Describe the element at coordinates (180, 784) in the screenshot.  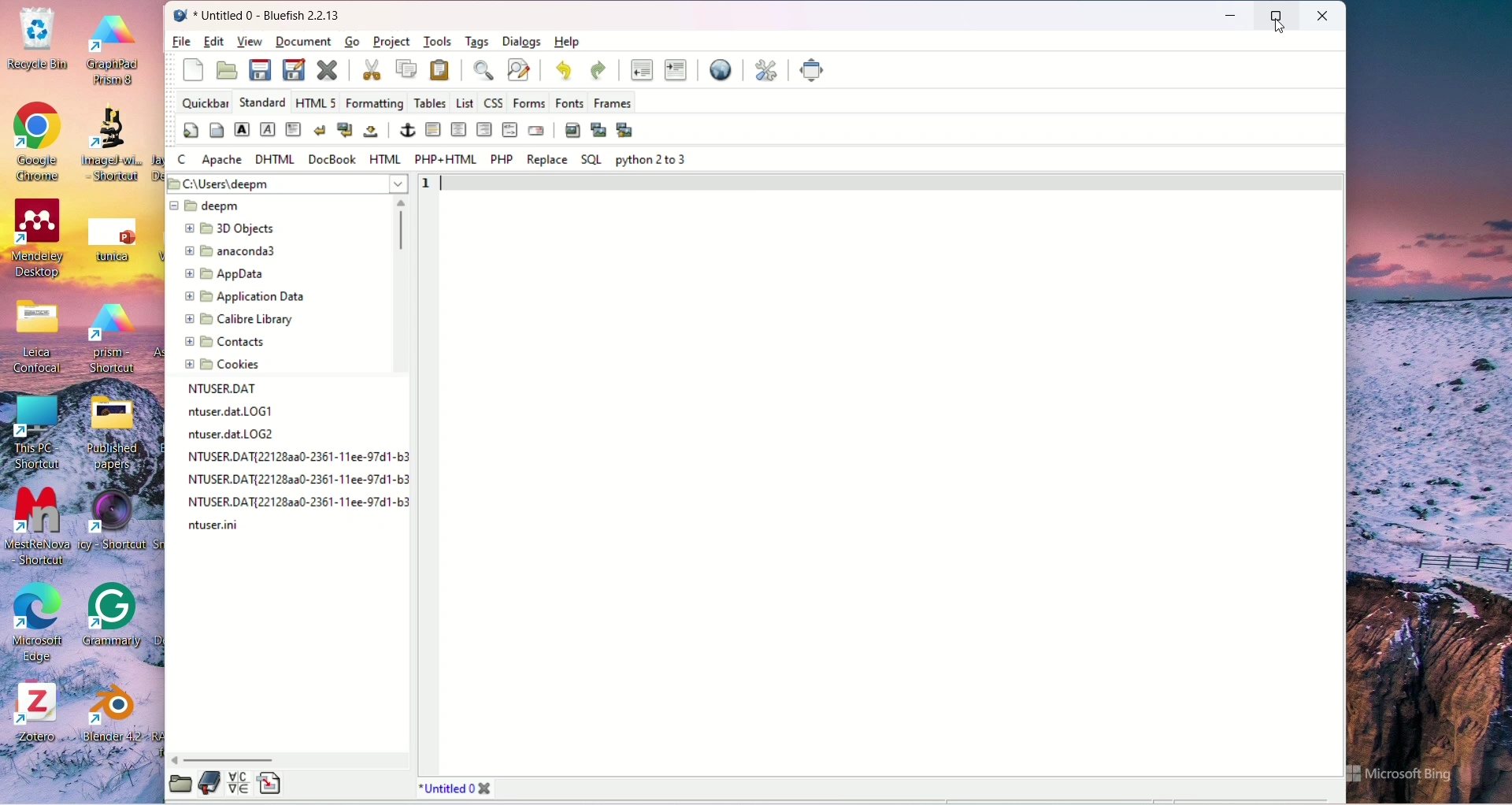
I see `open` at that location.